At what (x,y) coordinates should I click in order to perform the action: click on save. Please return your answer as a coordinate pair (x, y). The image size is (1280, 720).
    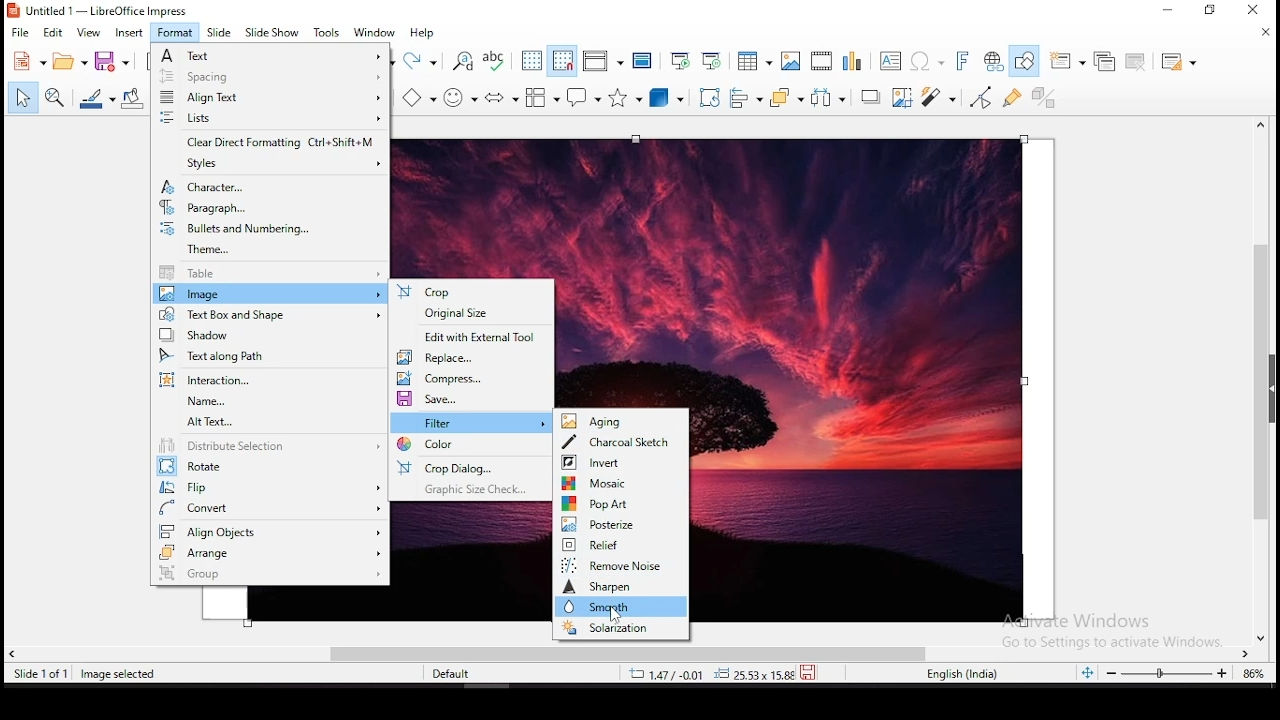
    Looking at the image, I should click on (473, 399).